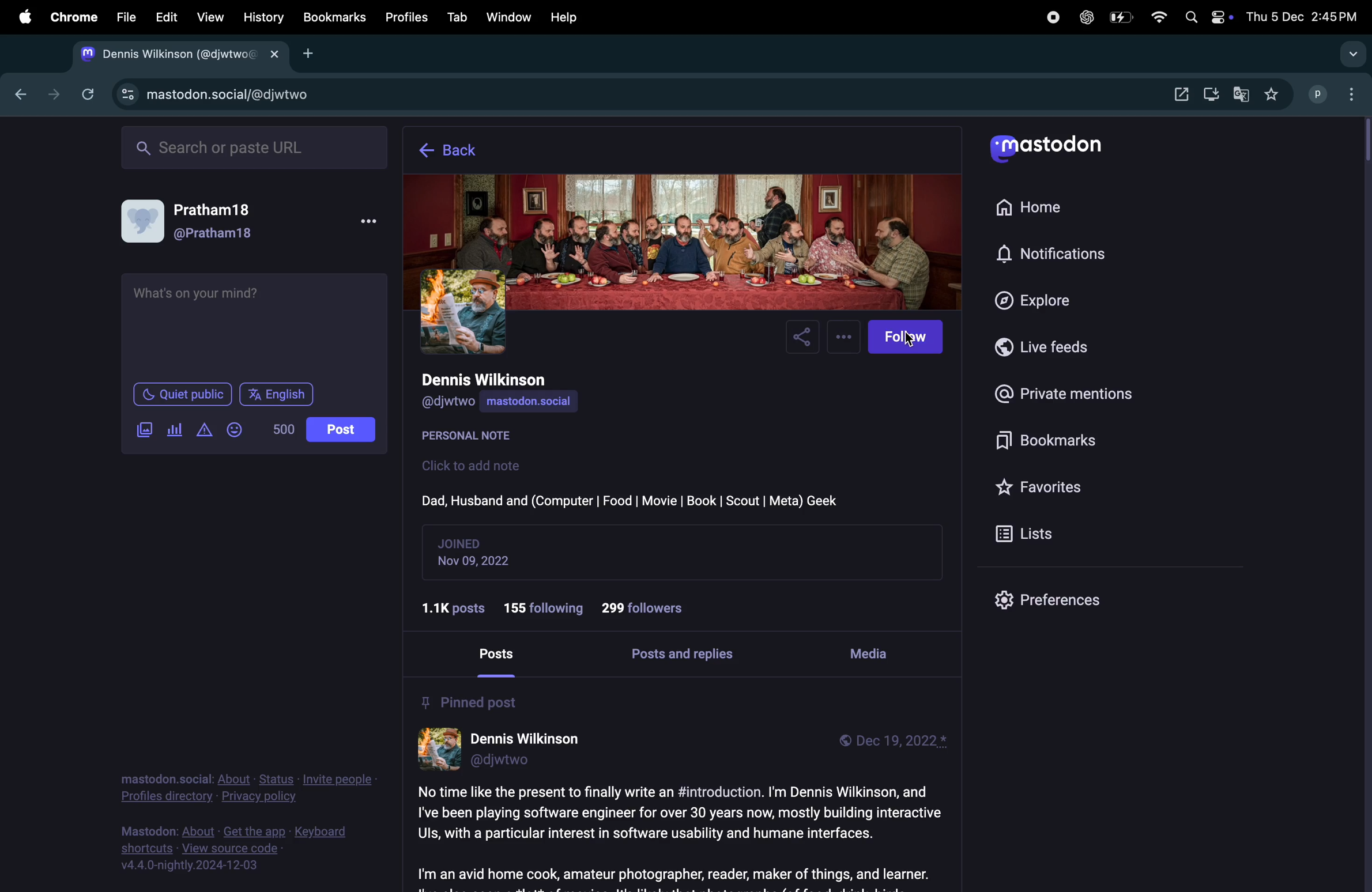  Describe the element at coordinates (203, 432) in the screenshot. I see `alert` at that location.